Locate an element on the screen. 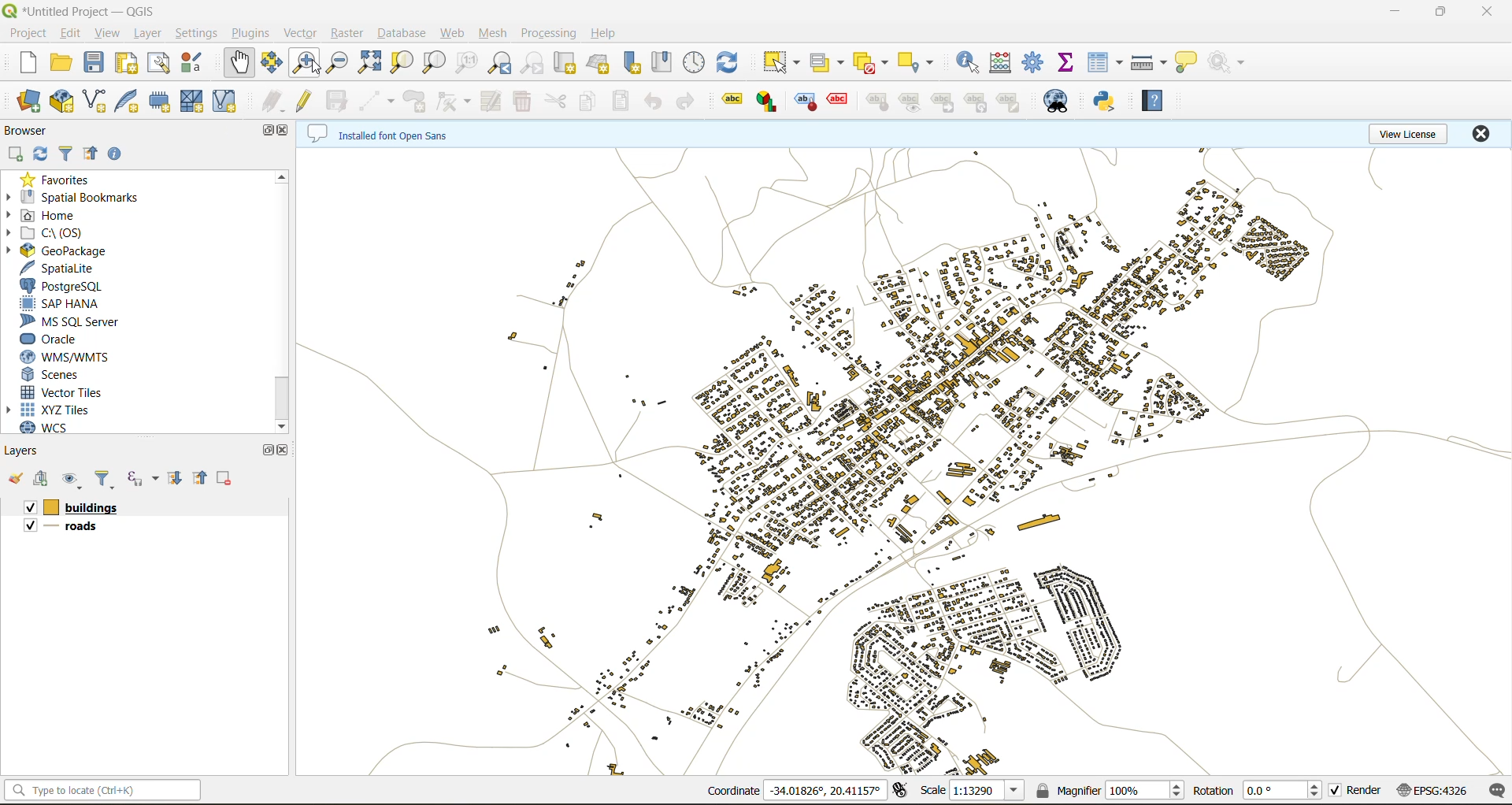 This screenshot has width=1512, height=805. enable/disable properties is located at coordinates (117, 155).